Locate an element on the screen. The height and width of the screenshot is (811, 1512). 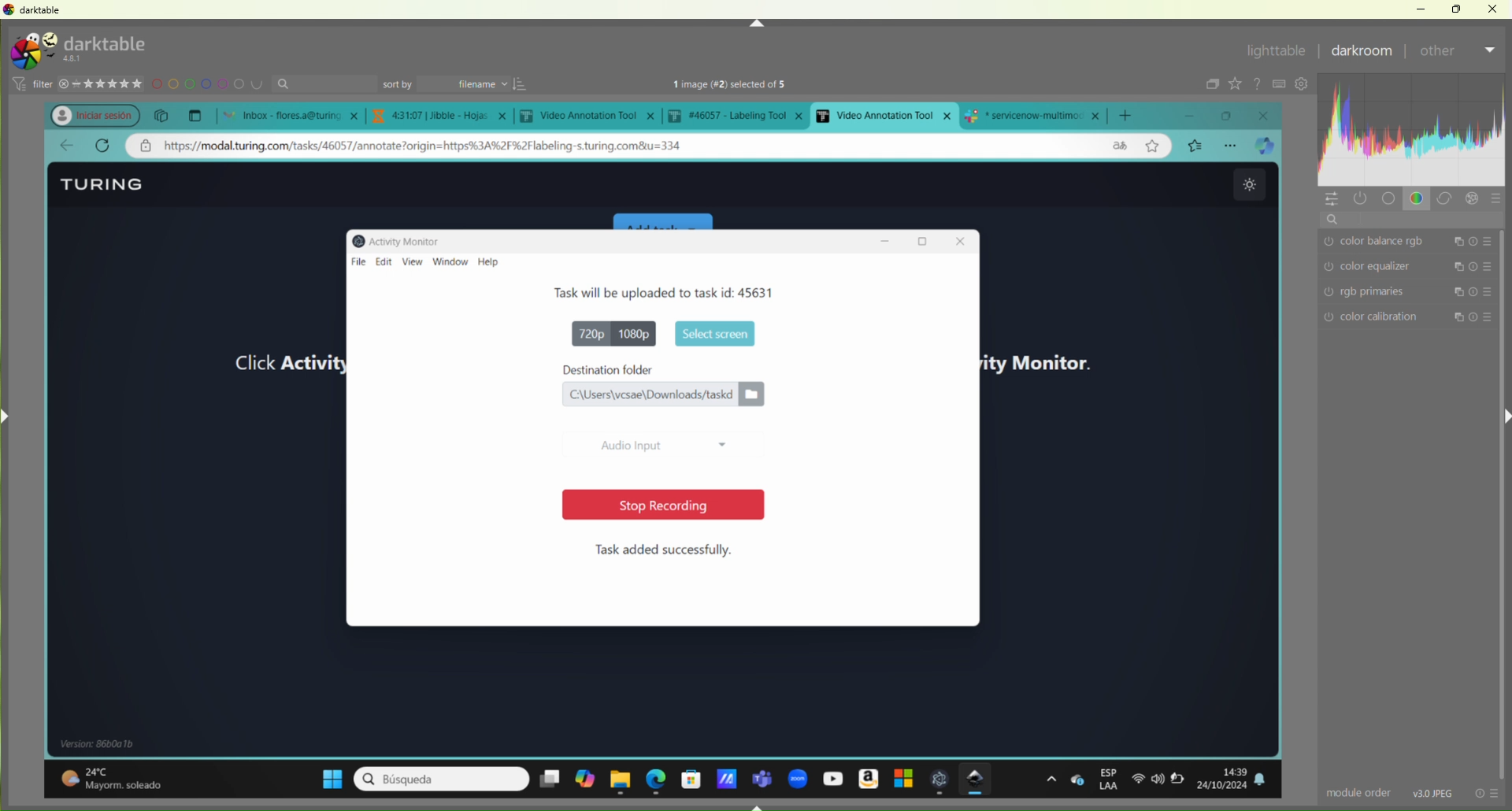
rgb primaries is located at coordinates (1403, 293).